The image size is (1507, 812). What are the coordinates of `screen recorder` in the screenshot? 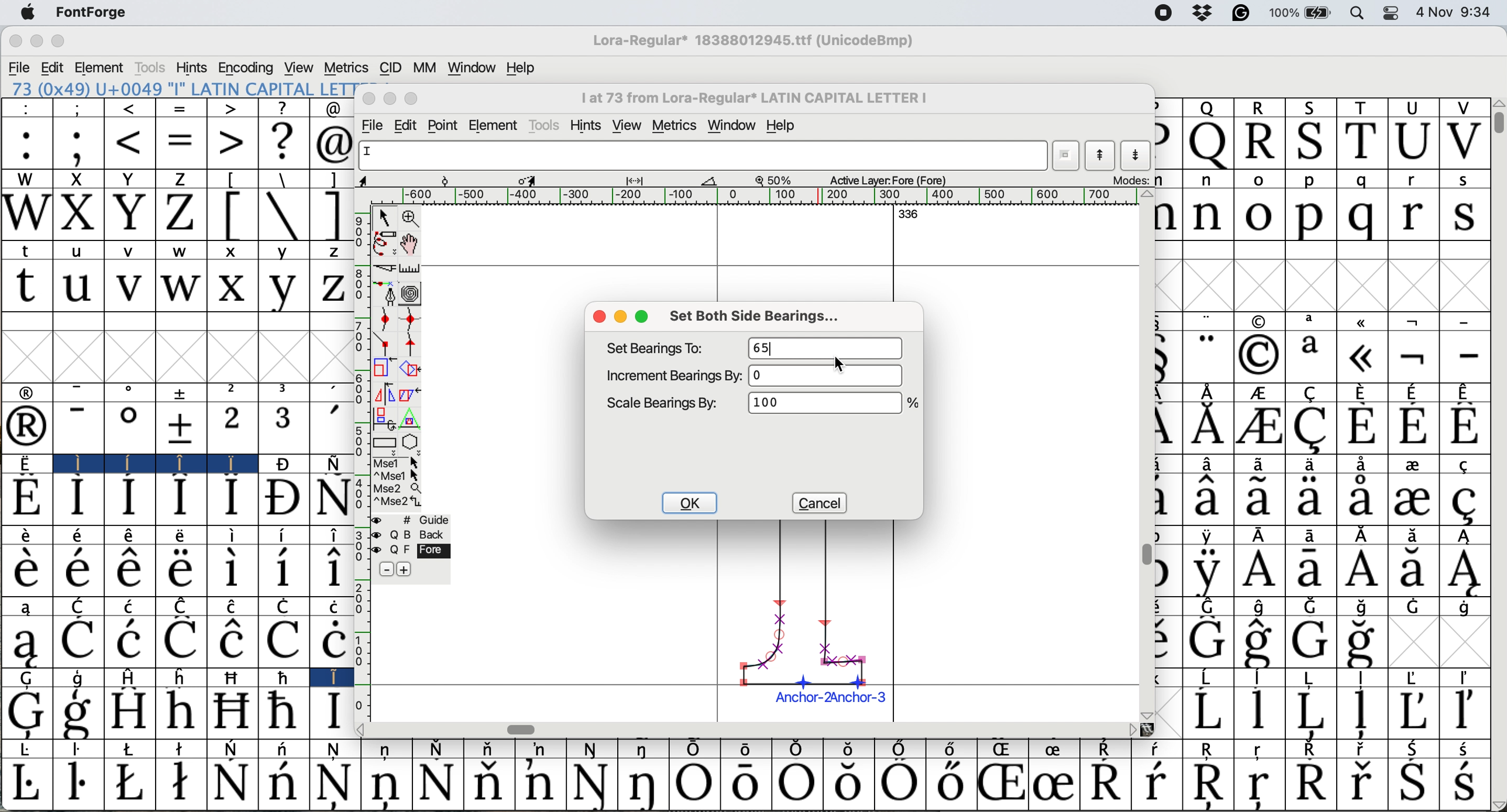 It's located at (1162, 14).